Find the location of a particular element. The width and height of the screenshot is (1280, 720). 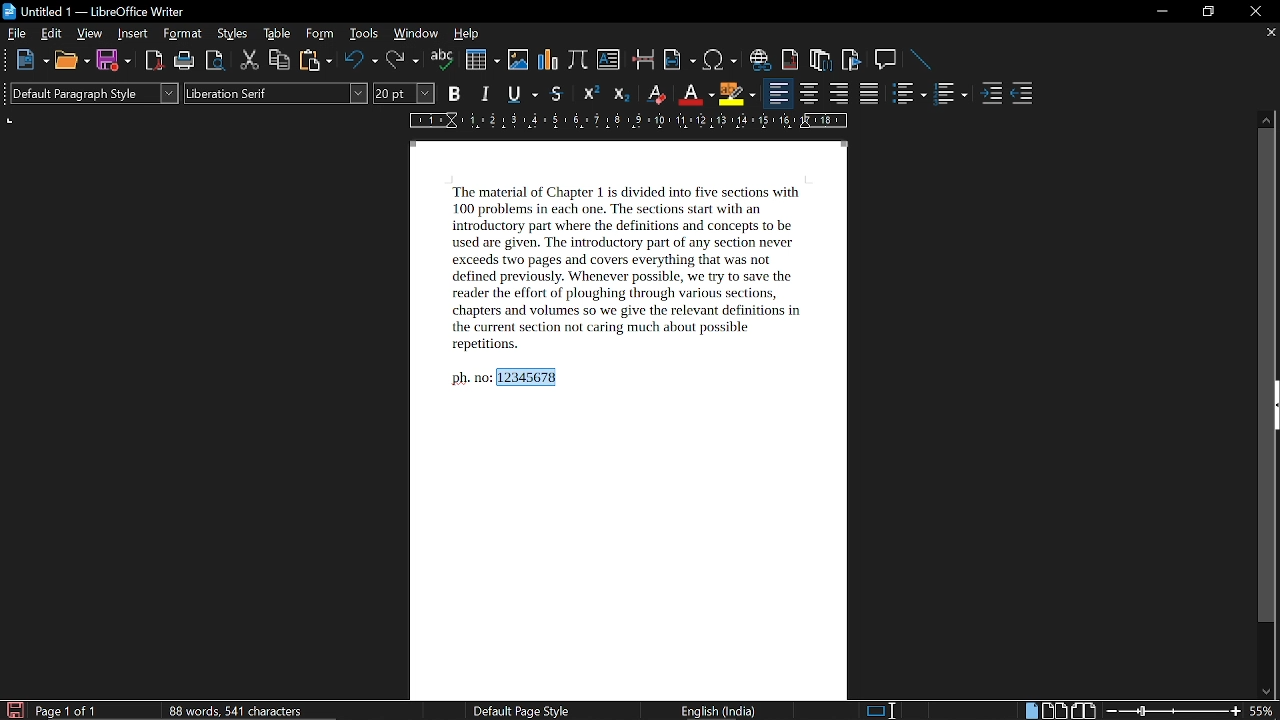

subscript is located at coordinates (619, 94).